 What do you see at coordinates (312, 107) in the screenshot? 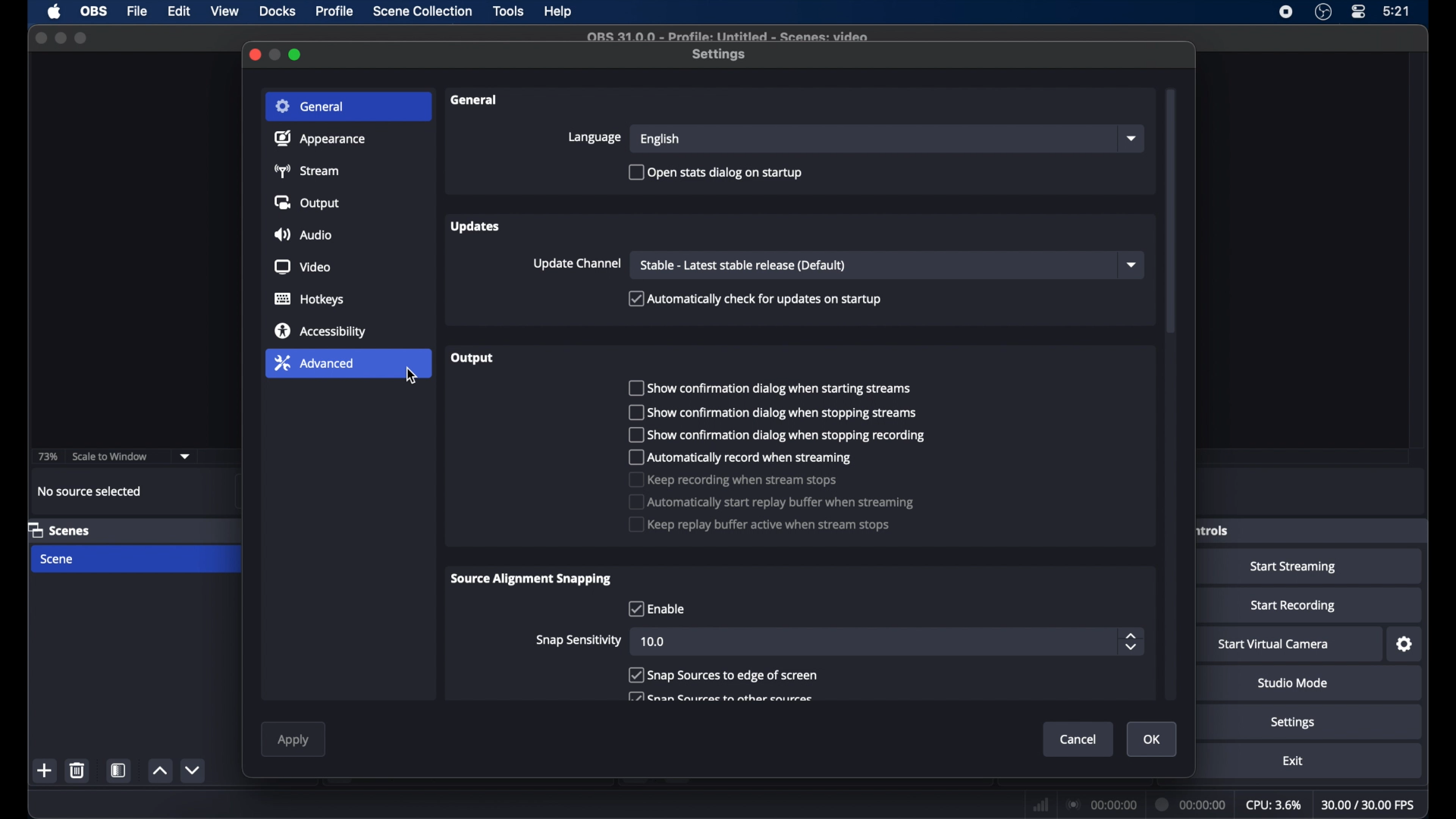
I see `general` at bounding box center [312, 107].